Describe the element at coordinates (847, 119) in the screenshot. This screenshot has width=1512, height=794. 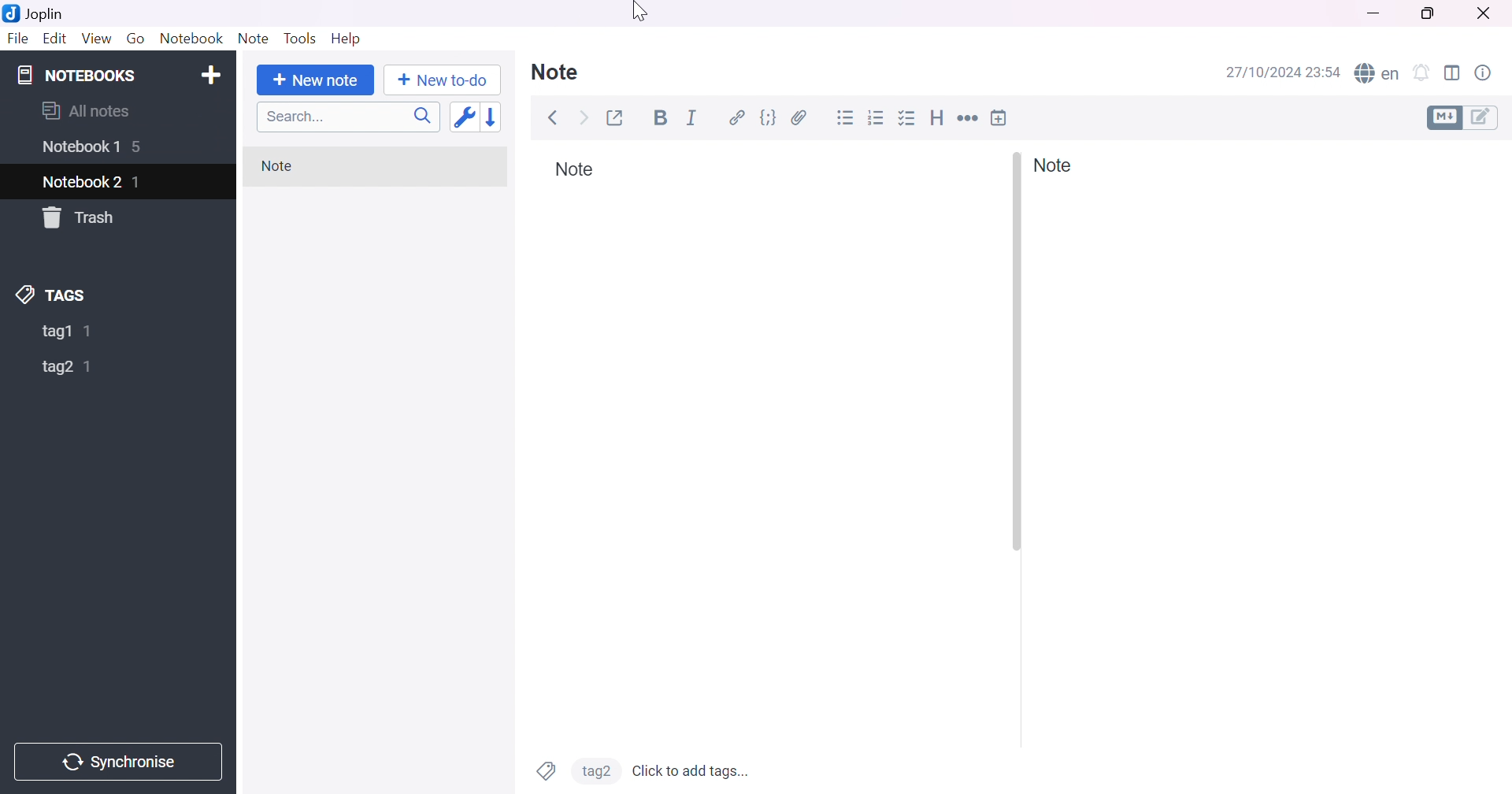
I see `Bulleted list` at that location.